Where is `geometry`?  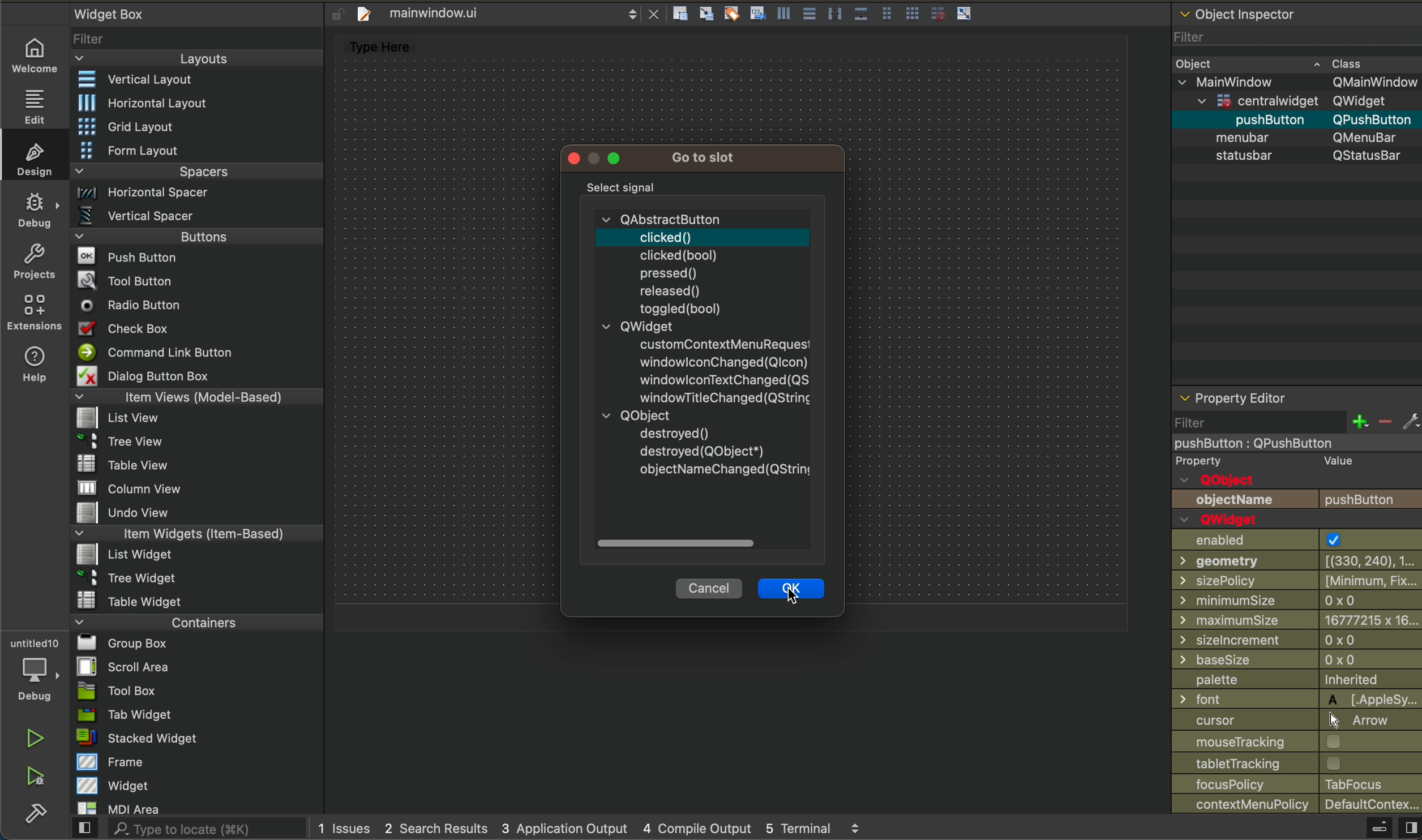
geometry is located at coordinates (1295, 562).